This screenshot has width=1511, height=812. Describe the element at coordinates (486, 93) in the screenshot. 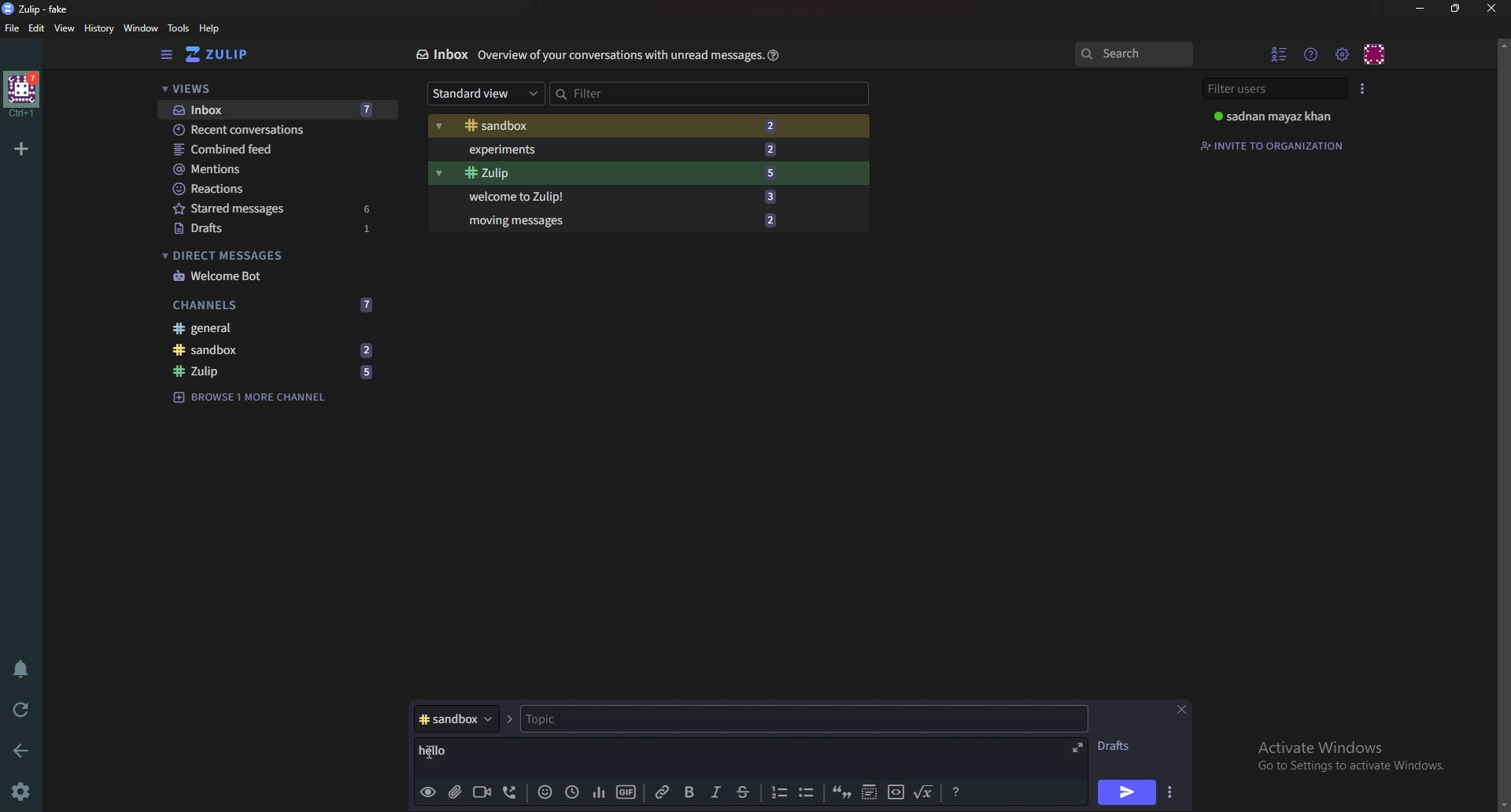

I see `Standard view` at that location.